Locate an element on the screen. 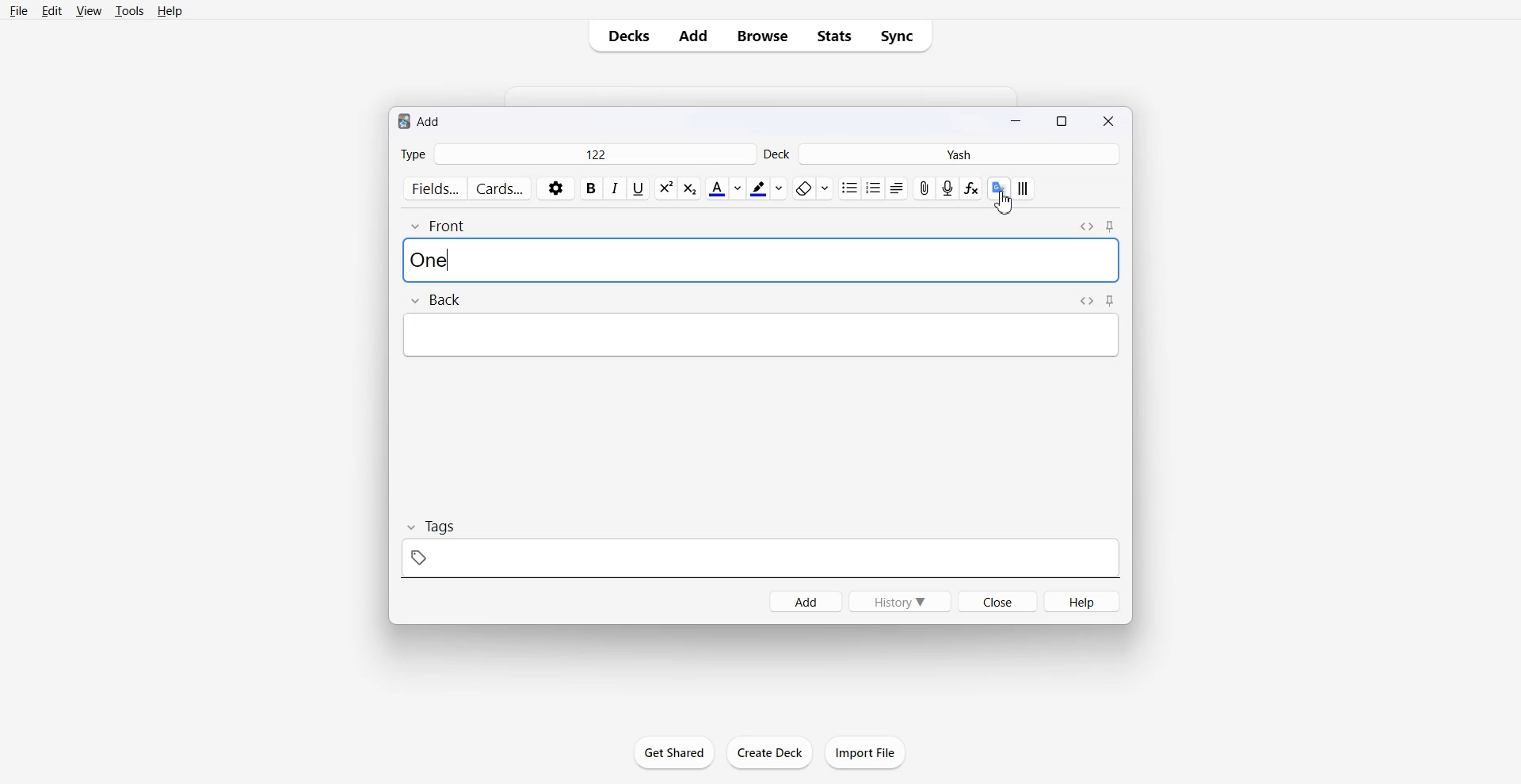 Image resolution: width=1521 pixels, height=784 pixels. Import File is located at coordinates (866, 752).